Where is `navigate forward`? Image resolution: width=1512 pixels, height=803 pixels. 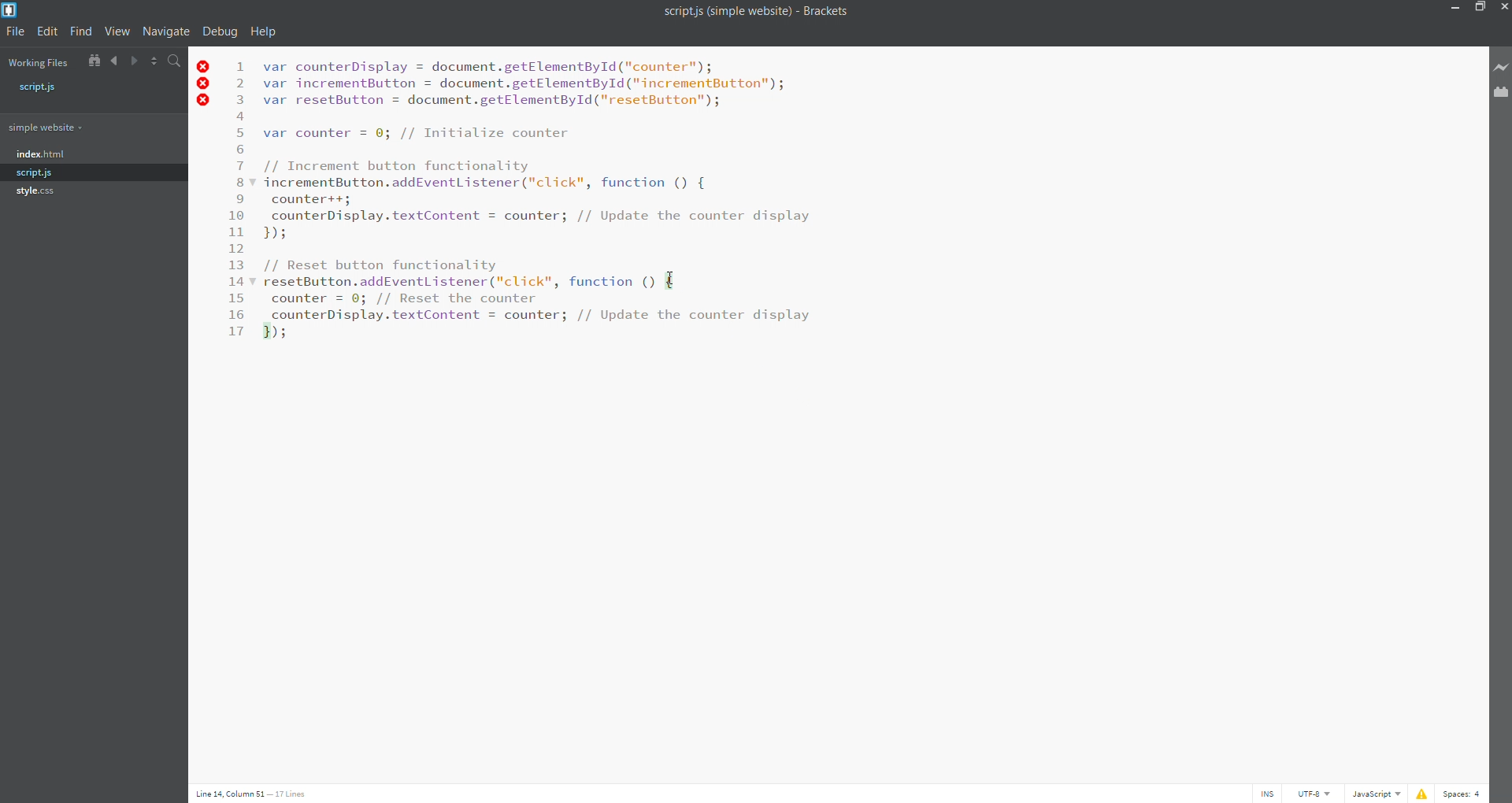 navigate forward is located at coordinates (132, 60).